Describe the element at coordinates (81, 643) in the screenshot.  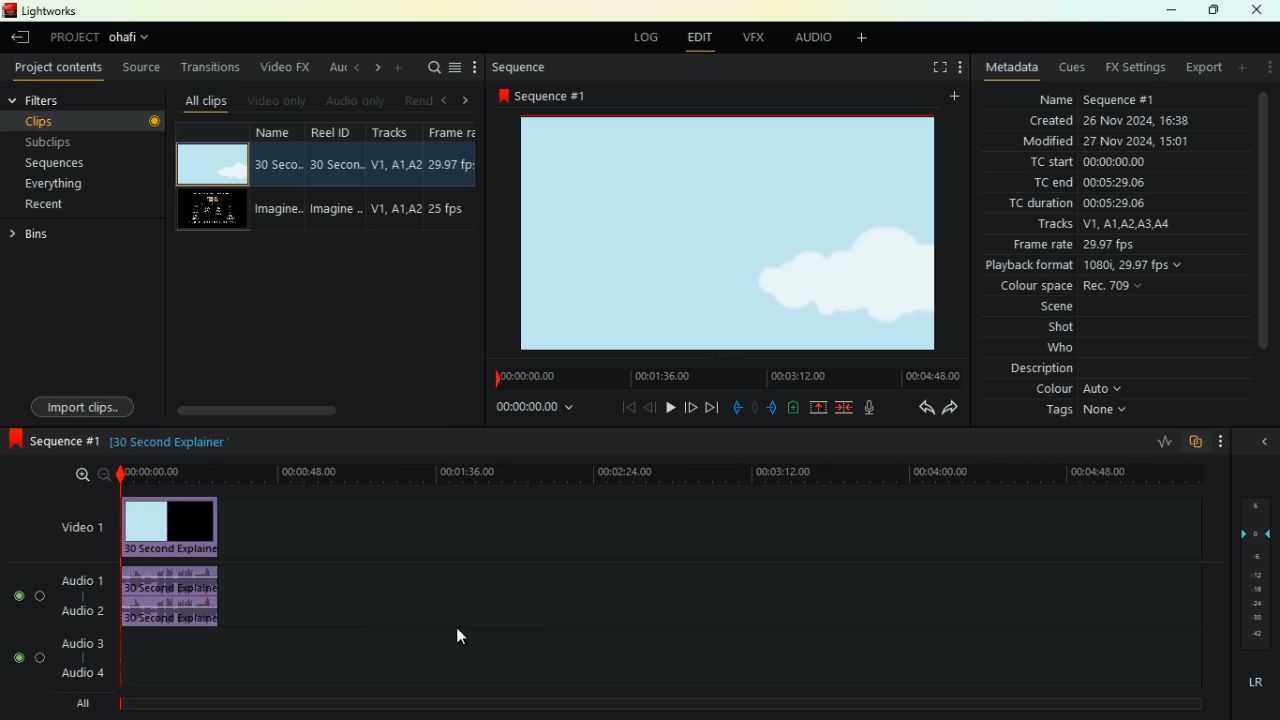
I see `audio 3` at that location.